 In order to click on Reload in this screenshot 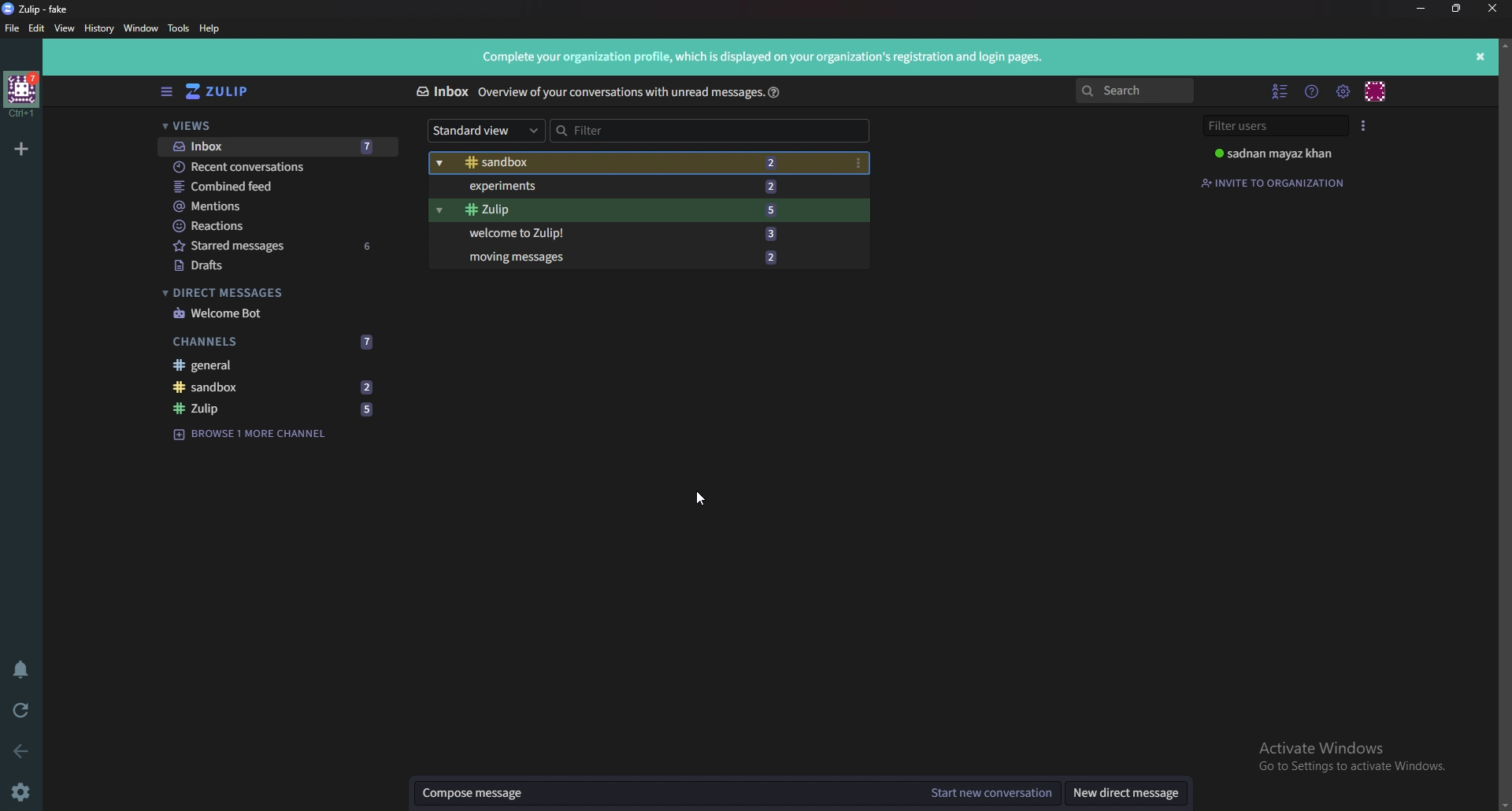, I will do `click(27, 709)`.